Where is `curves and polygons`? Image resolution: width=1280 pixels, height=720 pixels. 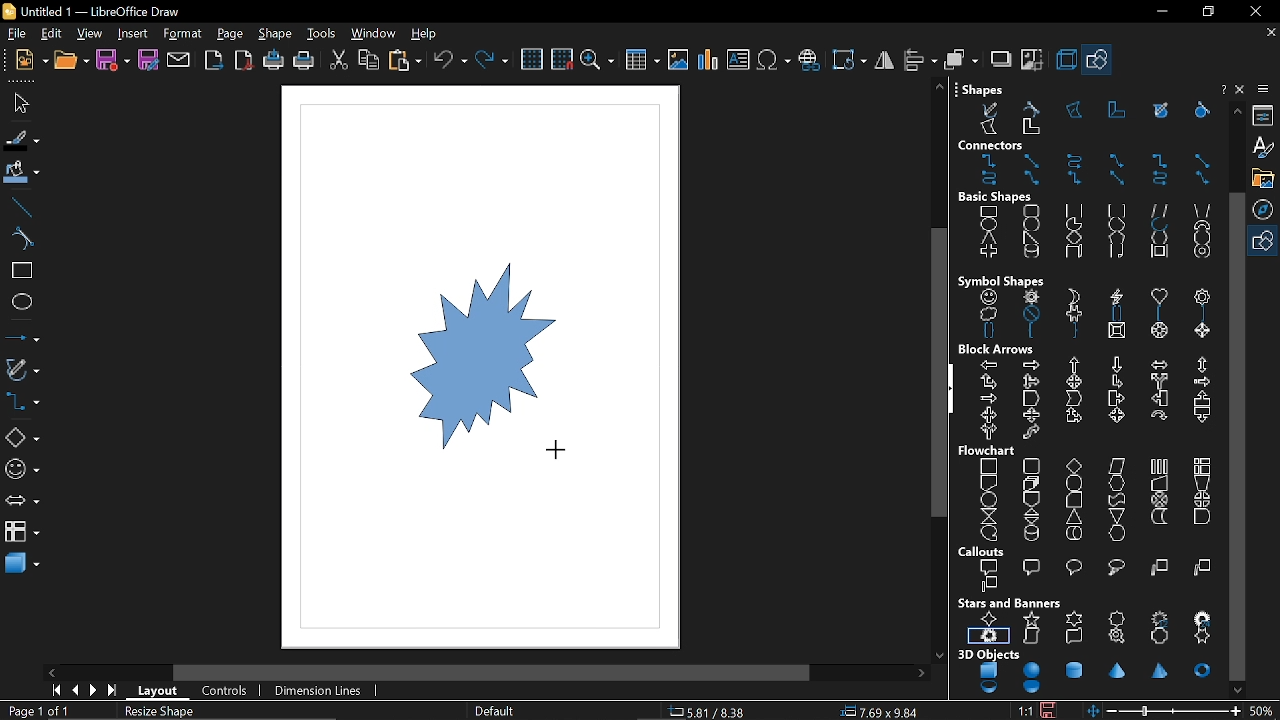
curves and polygons is located at coordinates (21, 371).